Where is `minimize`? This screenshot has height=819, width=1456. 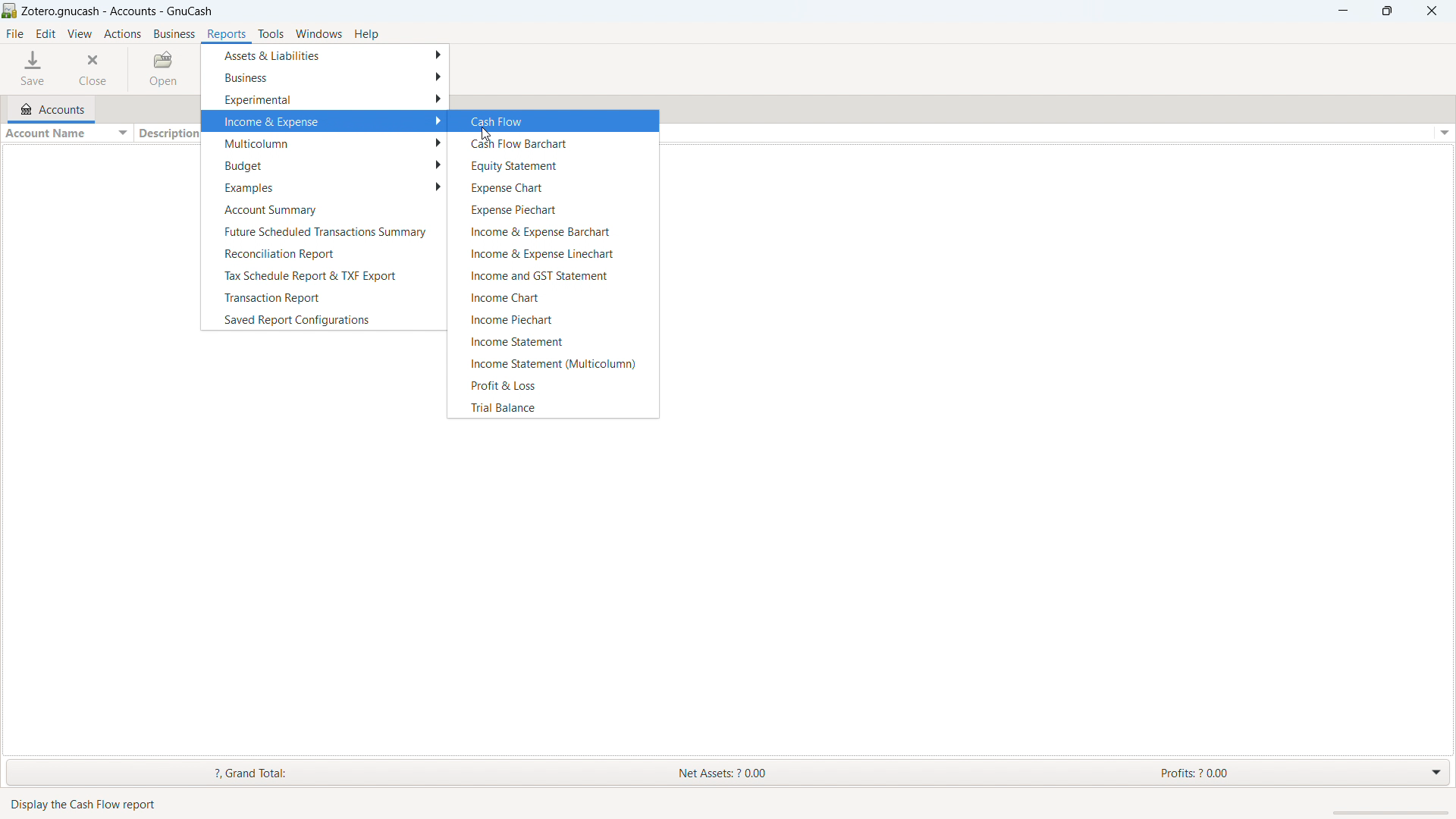
minimize is located at coordinates (1344, 11).